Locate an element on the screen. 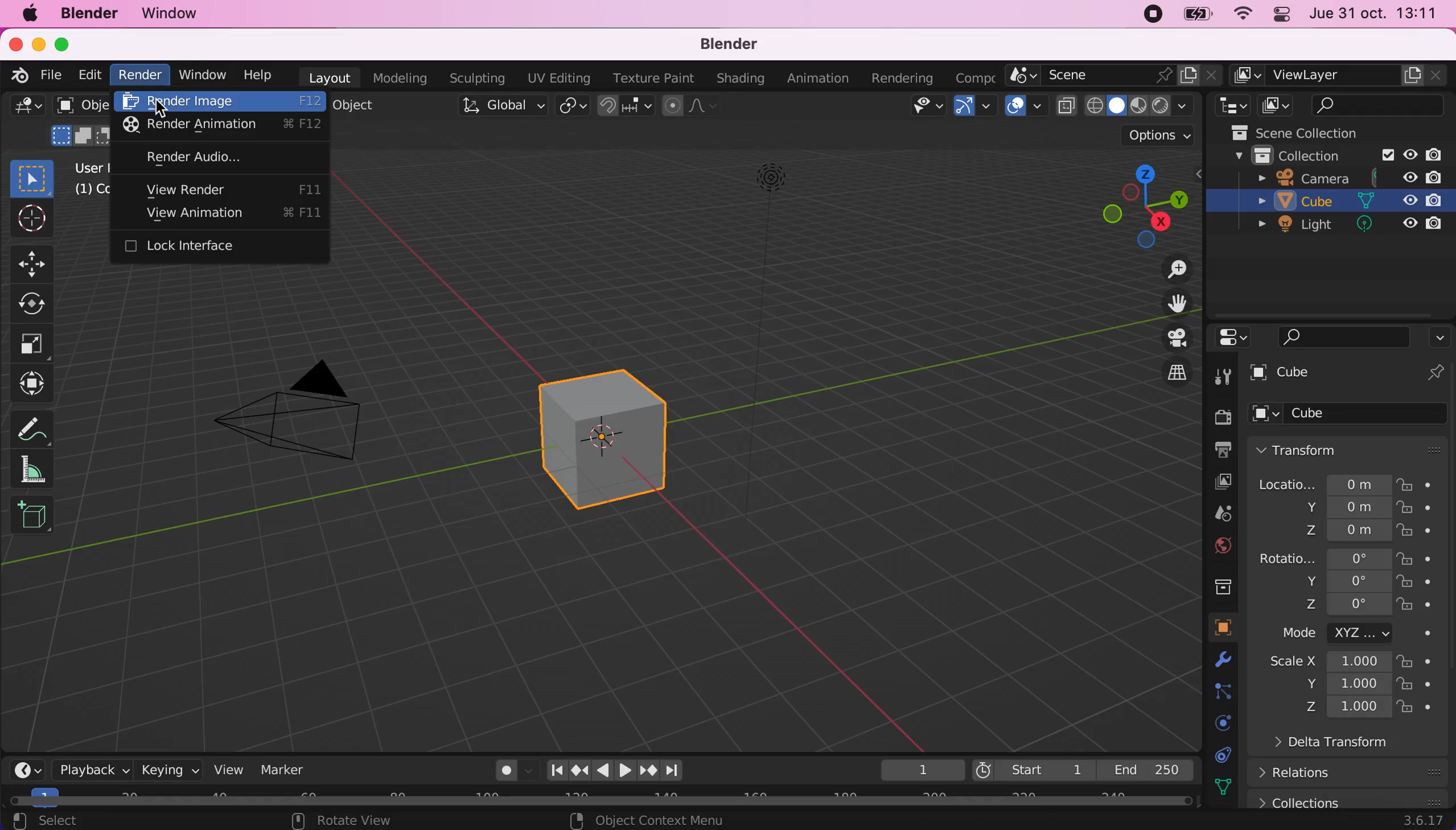 This screenshot has width=1456, height=830. render is located at coordinates (139, 75).